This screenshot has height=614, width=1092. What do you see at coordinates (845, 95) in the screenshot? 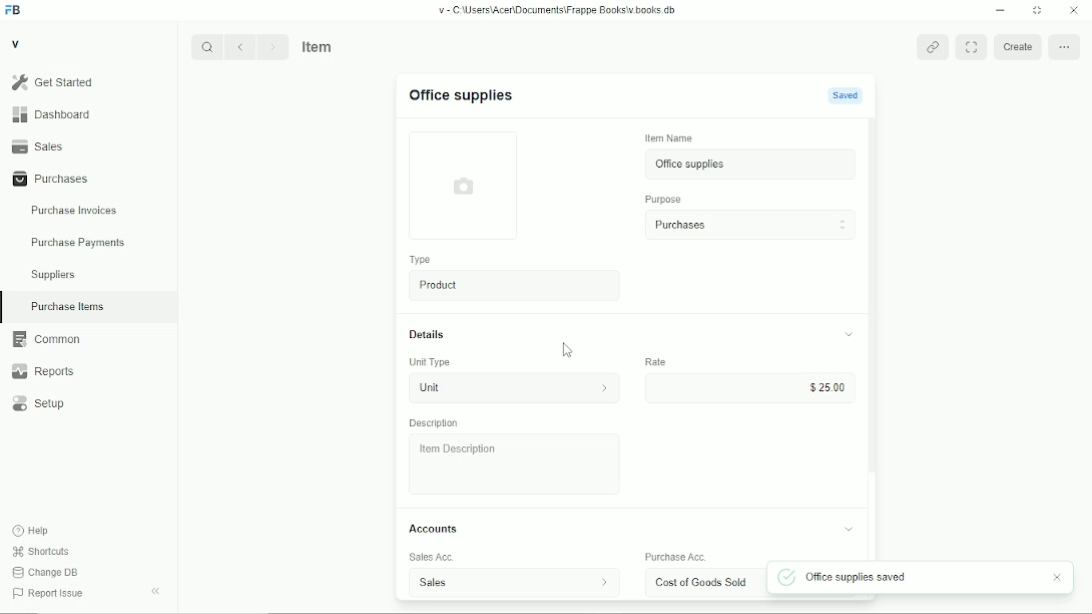
I see `saved` at bounding box center [845, 95].